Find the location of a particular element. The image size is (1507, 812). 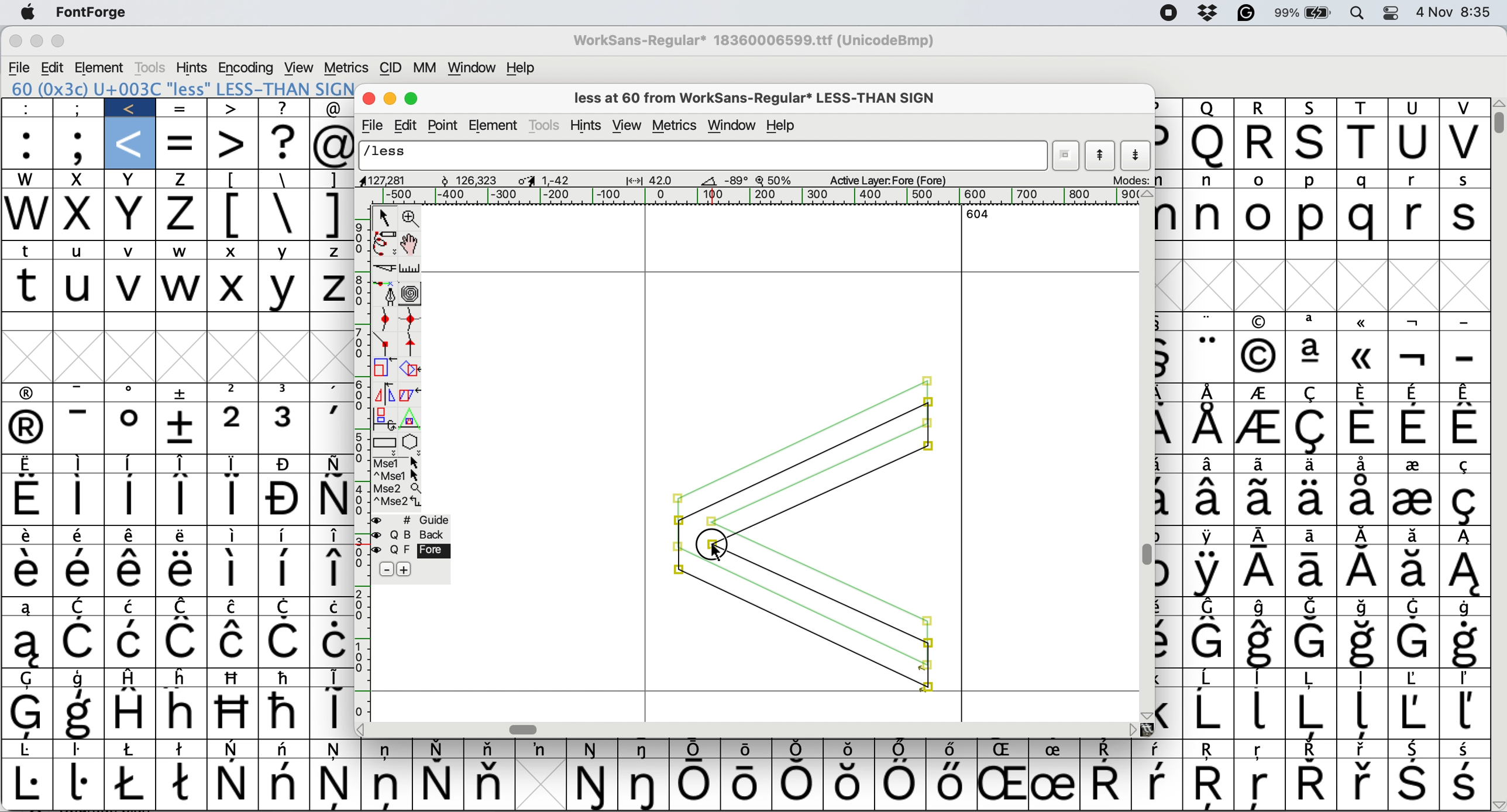

p is located at coordinates (1310, 181).